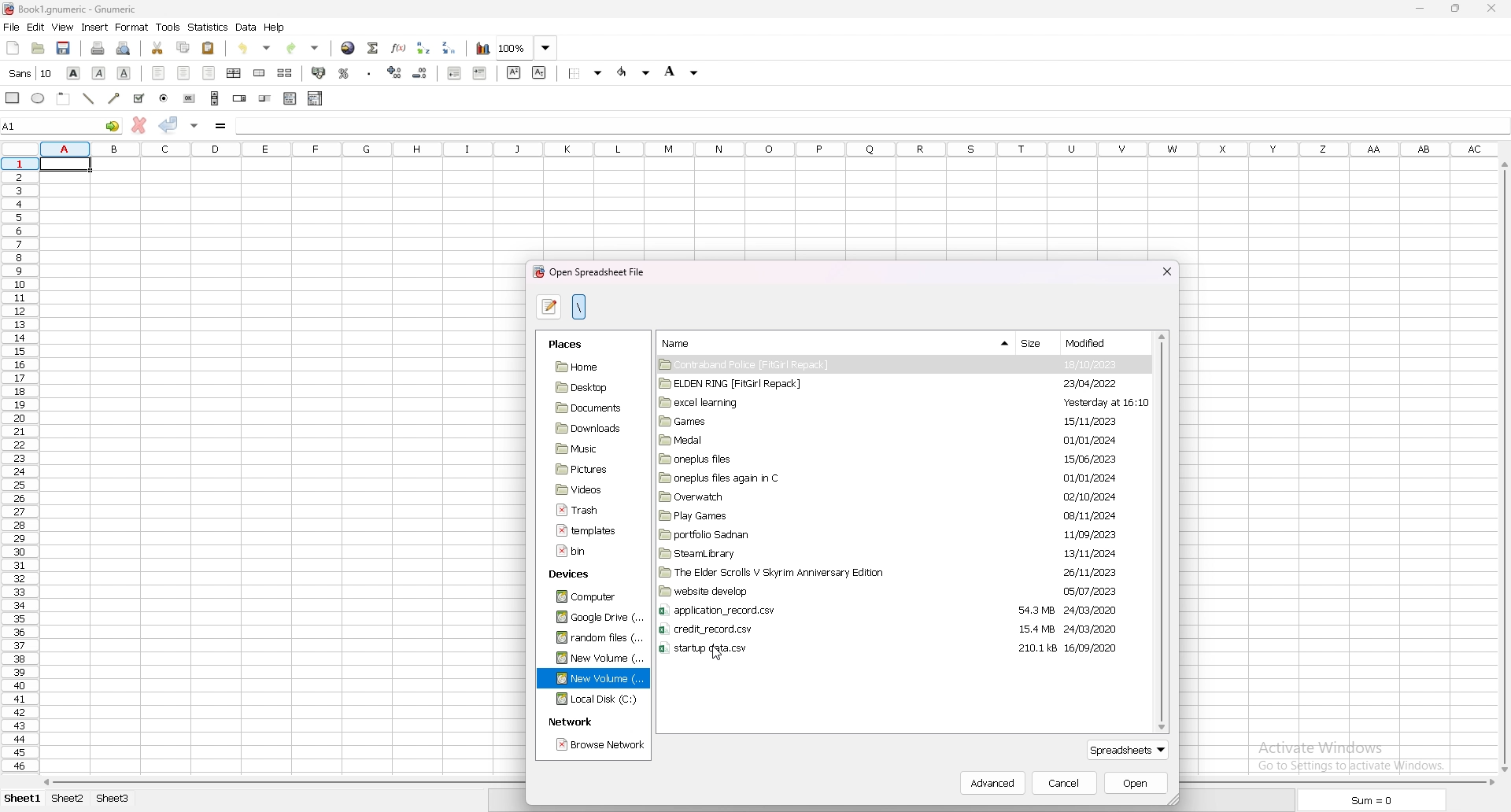  I want to click on cut, so click(157, 49).